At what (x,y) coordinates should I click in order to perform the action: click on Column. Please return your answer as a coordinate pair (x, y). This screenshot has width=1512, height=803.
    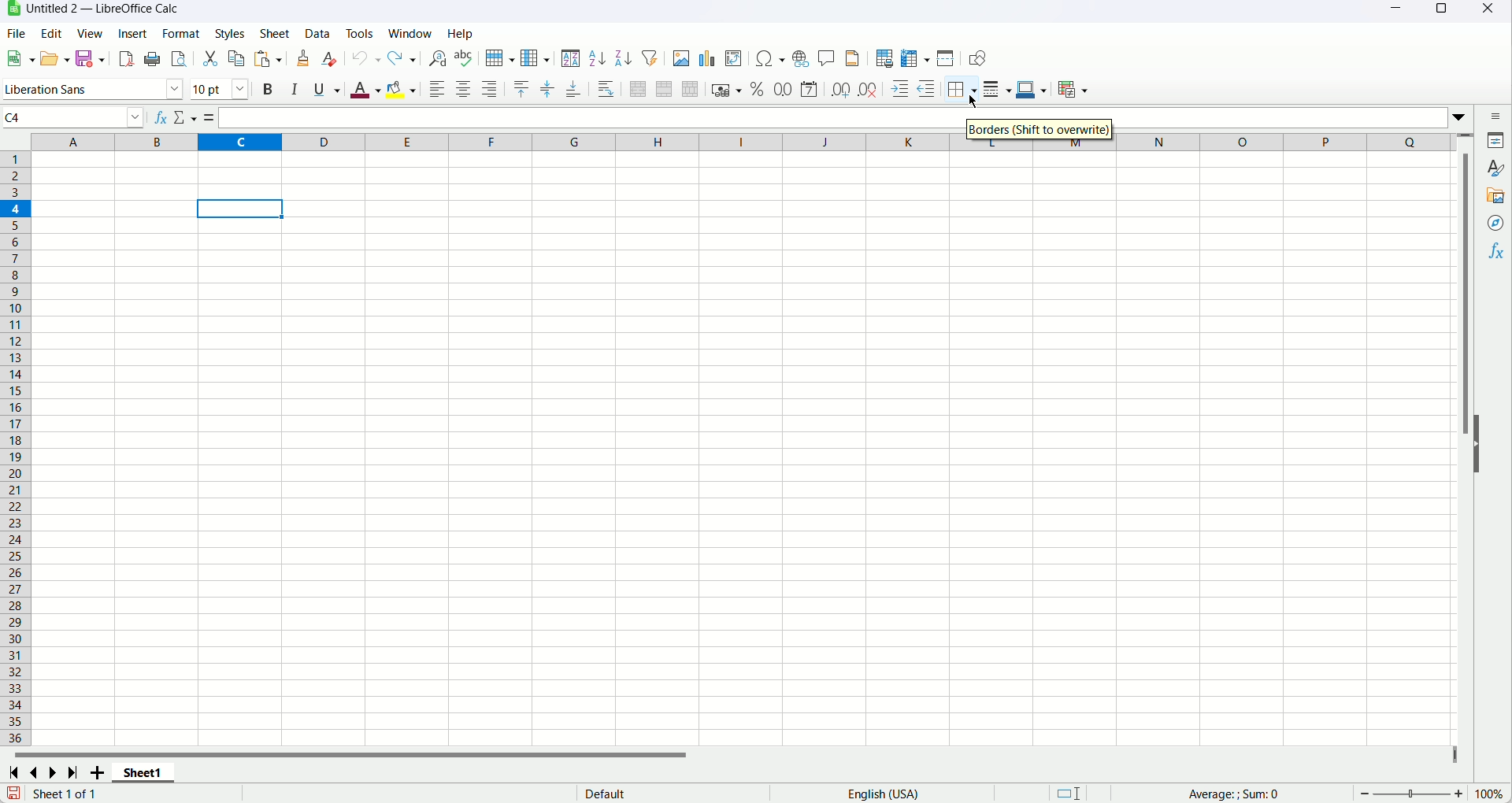
    Looking at the image, I should click on (535, 58).